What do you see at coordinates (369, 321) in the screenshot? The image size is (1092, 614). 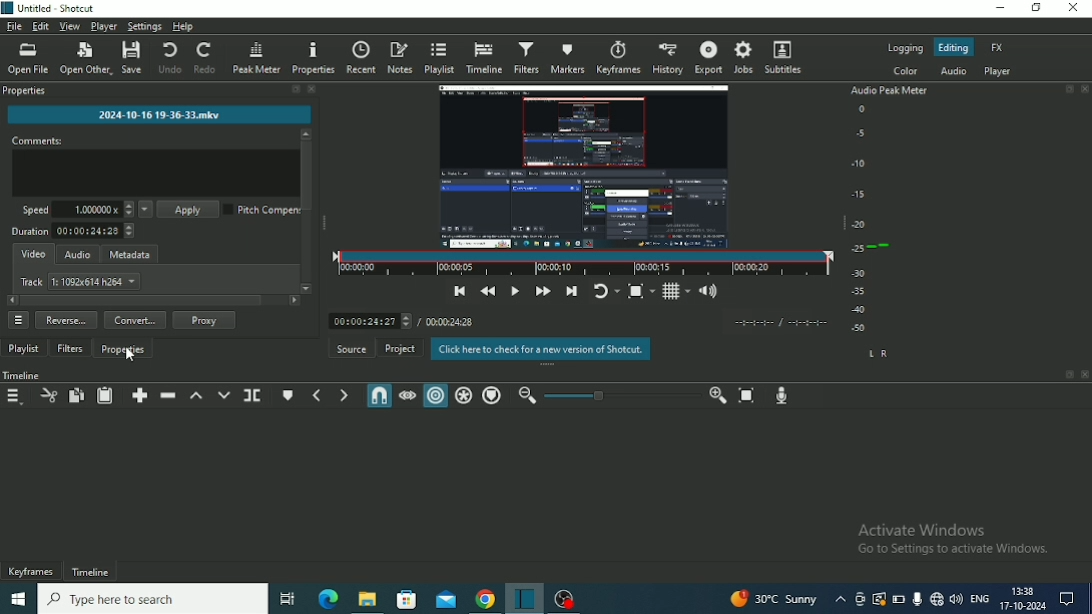 I see `Current position` at bounding box center [369, 321].